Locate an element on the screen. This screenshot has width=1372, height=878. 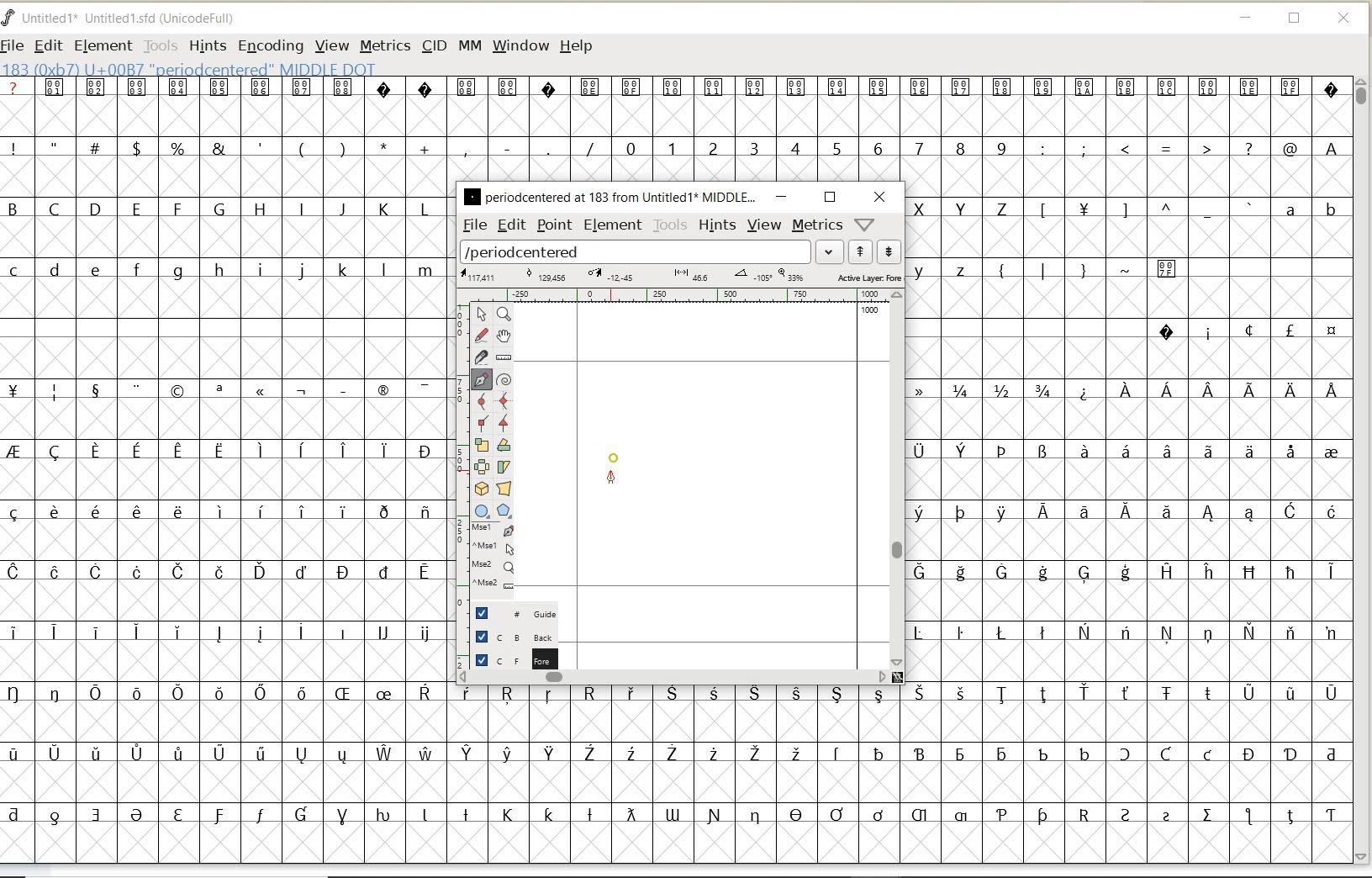
FILE is located at coordinates (14, 45).